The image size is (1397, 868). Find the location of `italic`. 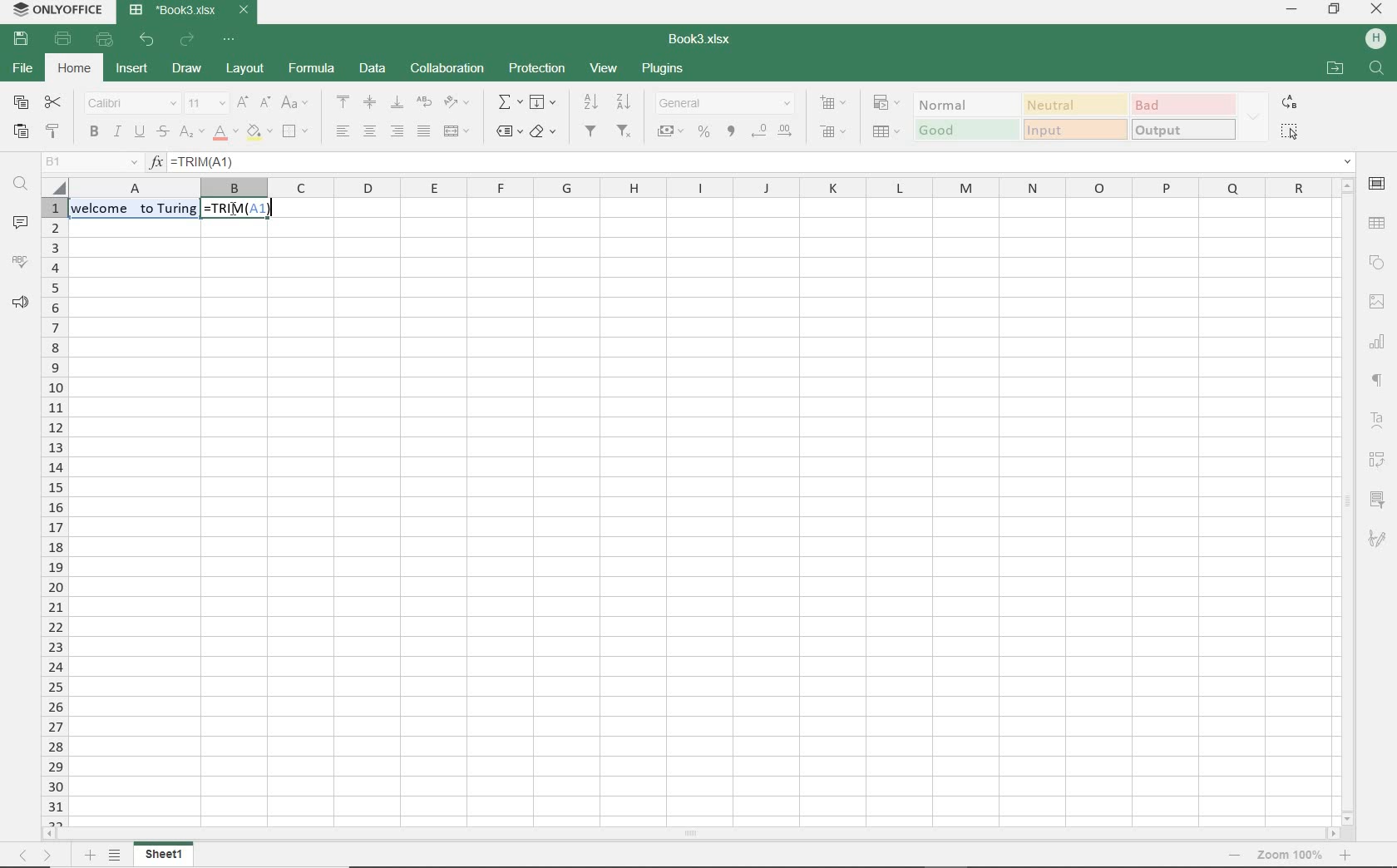

italic is located at coordinates (117, 132).